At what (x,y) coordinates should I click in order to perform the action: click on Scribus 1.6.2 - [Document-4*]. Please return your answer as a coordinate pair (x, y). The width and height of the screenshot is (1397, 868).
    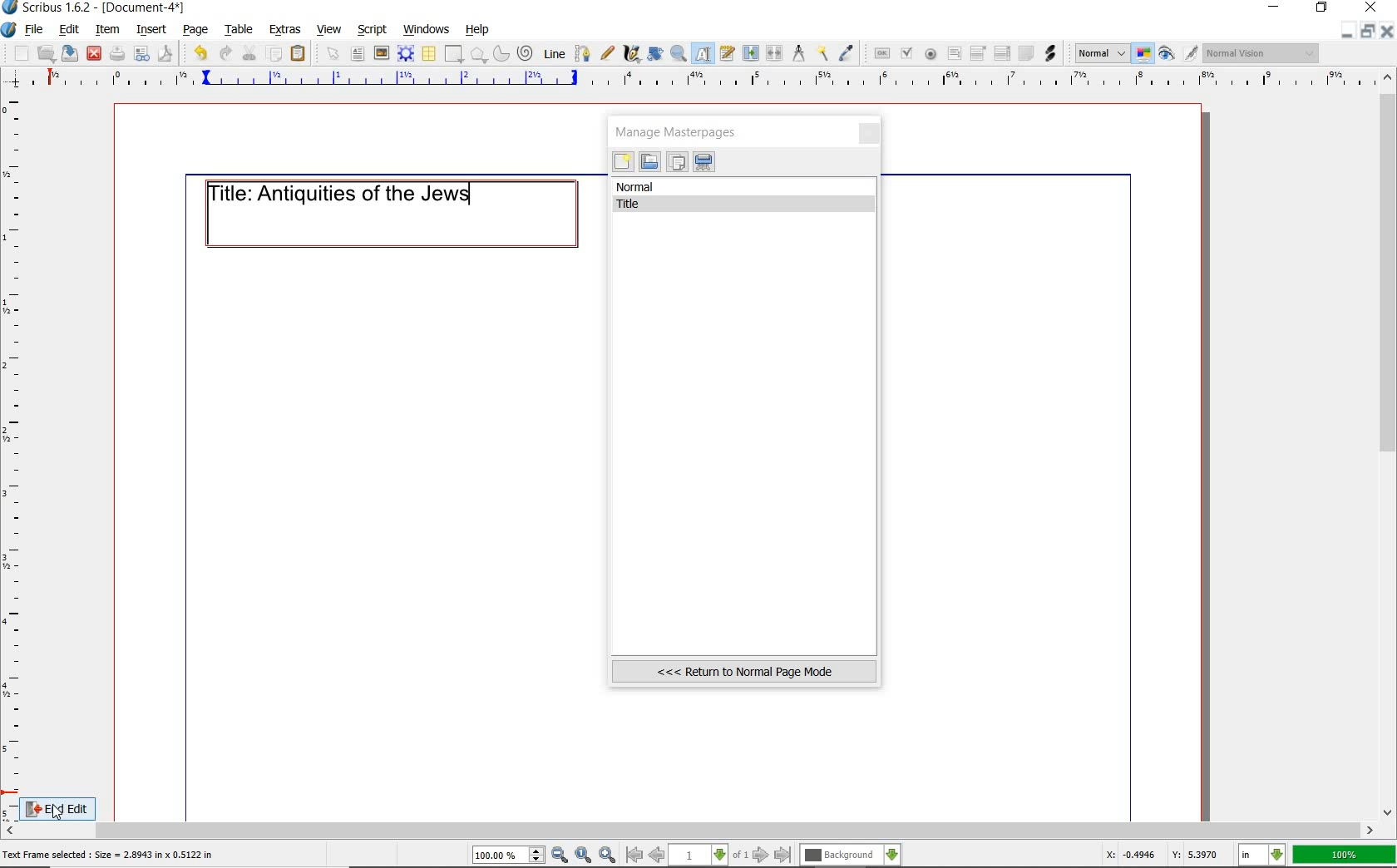
    Looking at the image, I should click on (95, 8).